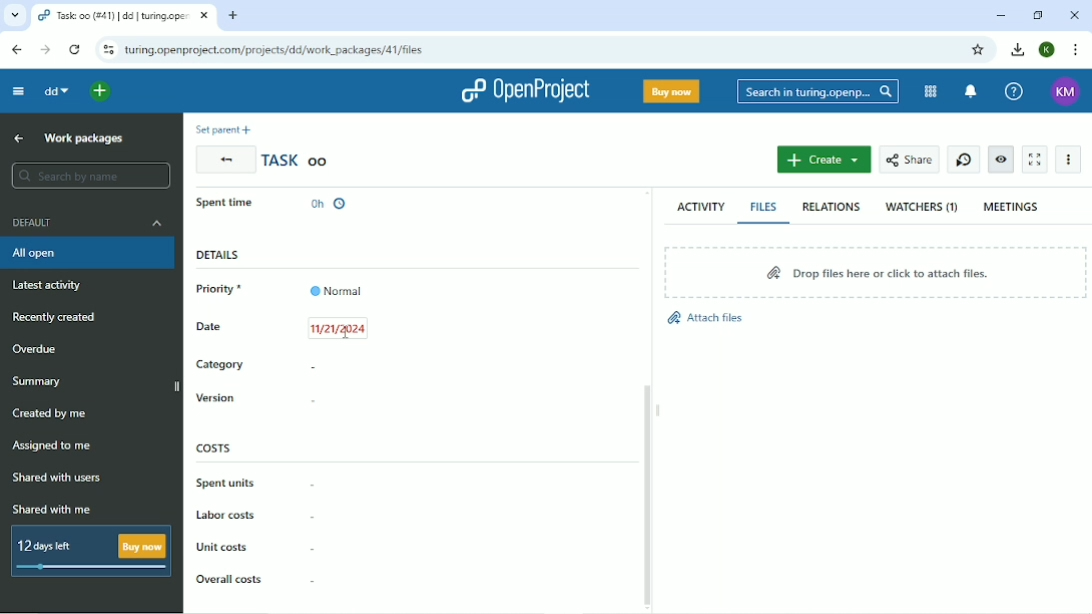  I want to click on Task oo, so click(299, 160).